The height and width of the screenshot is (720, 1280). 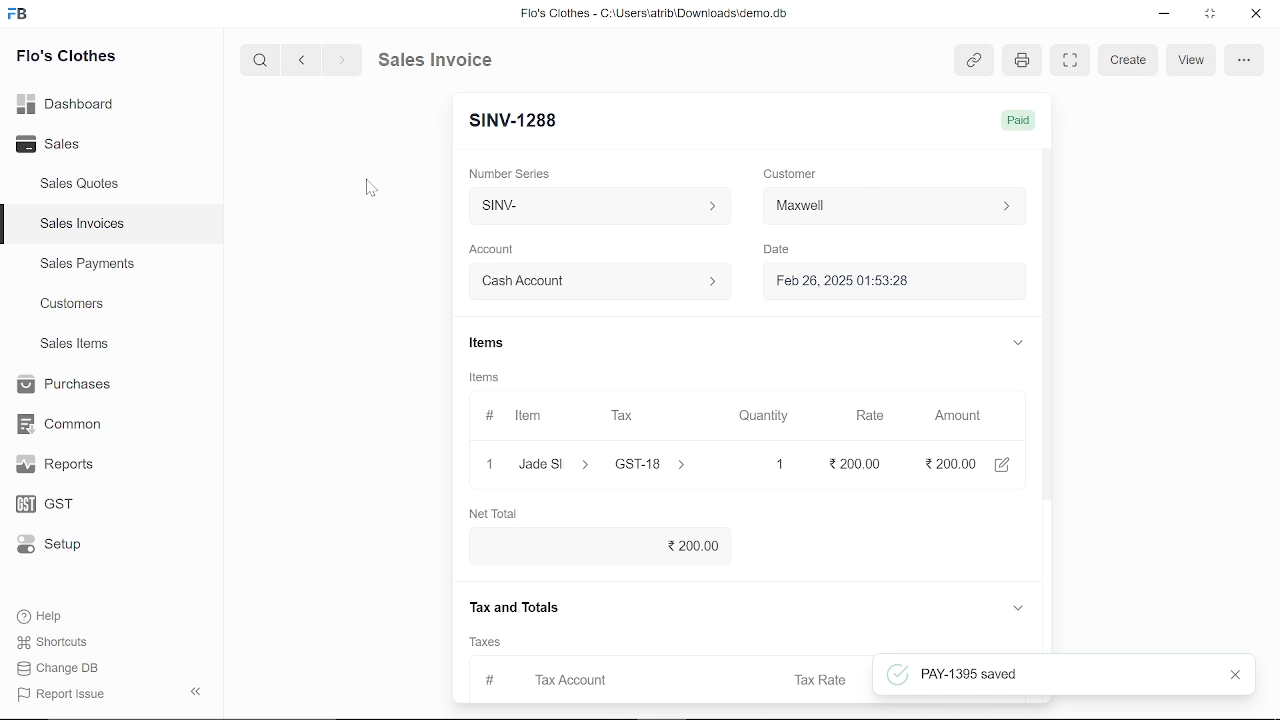 What do you see at coordinates (62, 424) in the screenshot?
I see `Common` at bounding box center [62, 424].